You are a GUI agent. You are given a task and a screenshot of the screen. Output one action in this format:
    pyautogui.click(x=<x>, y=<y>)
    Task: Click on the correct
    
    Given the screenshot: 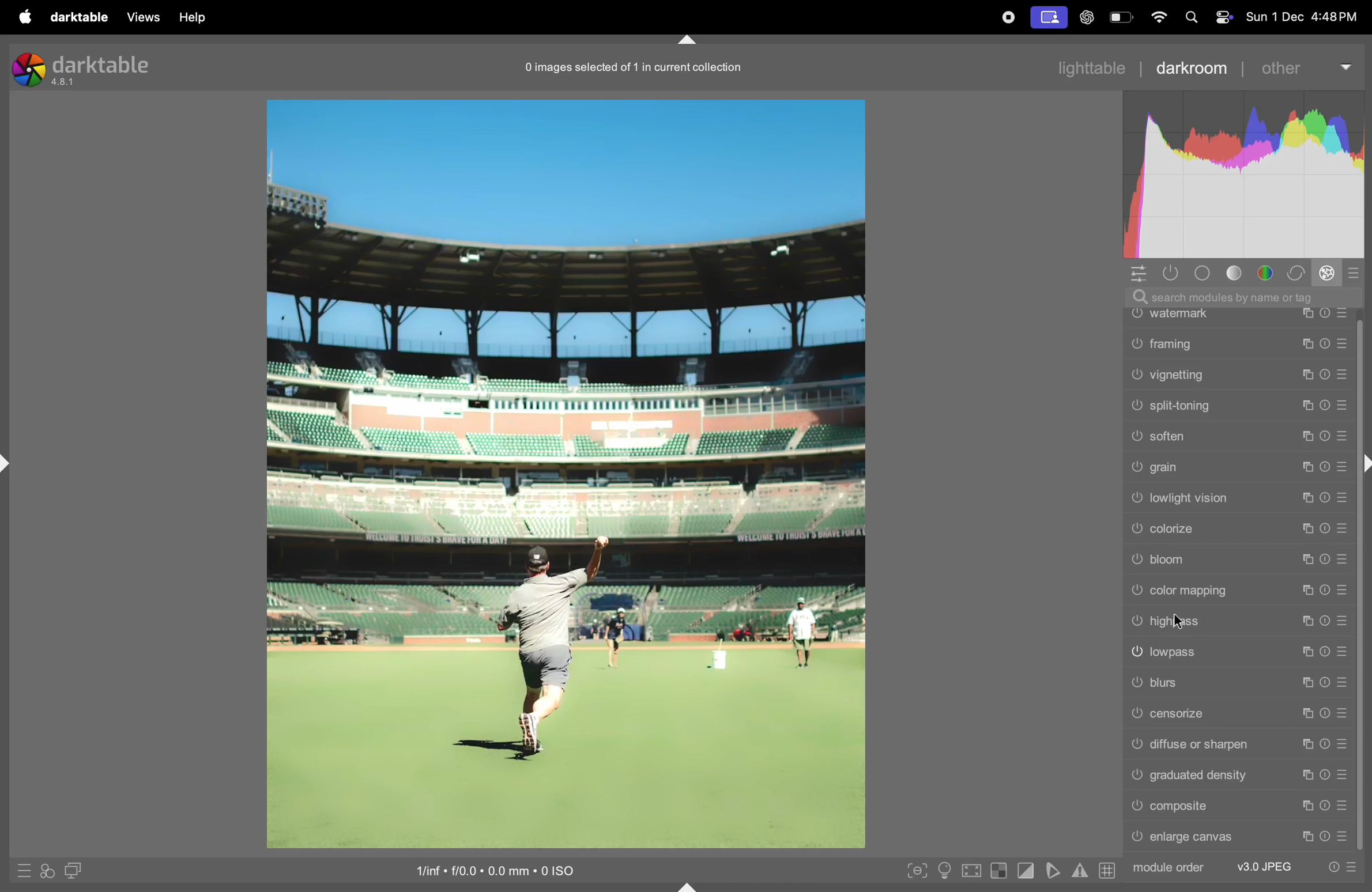 What is the action you would take?
    pyautogui.click(x=1297, y=272)
    